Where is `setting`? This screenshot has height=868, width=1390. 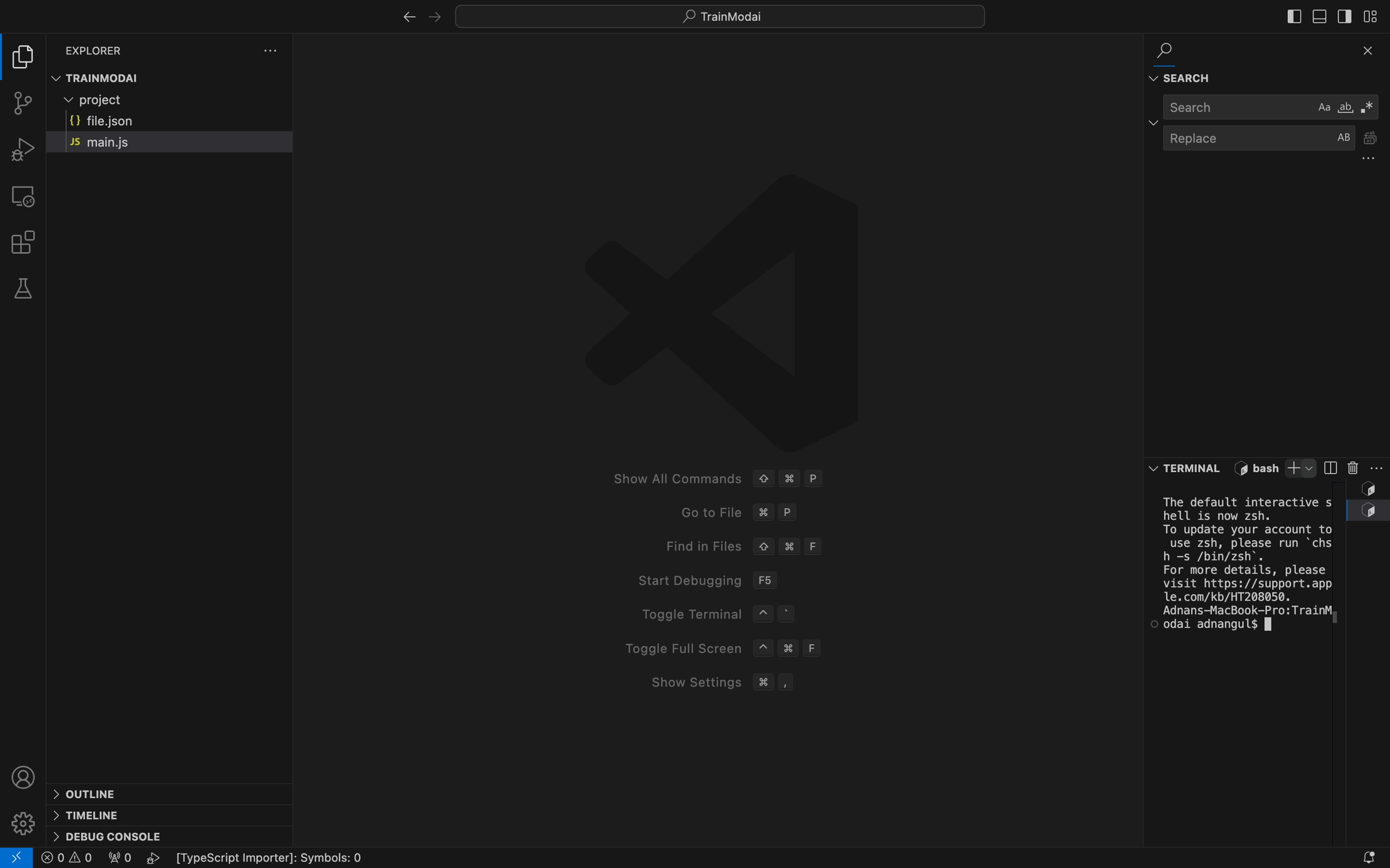
setting is located at coordinates (23, 817).